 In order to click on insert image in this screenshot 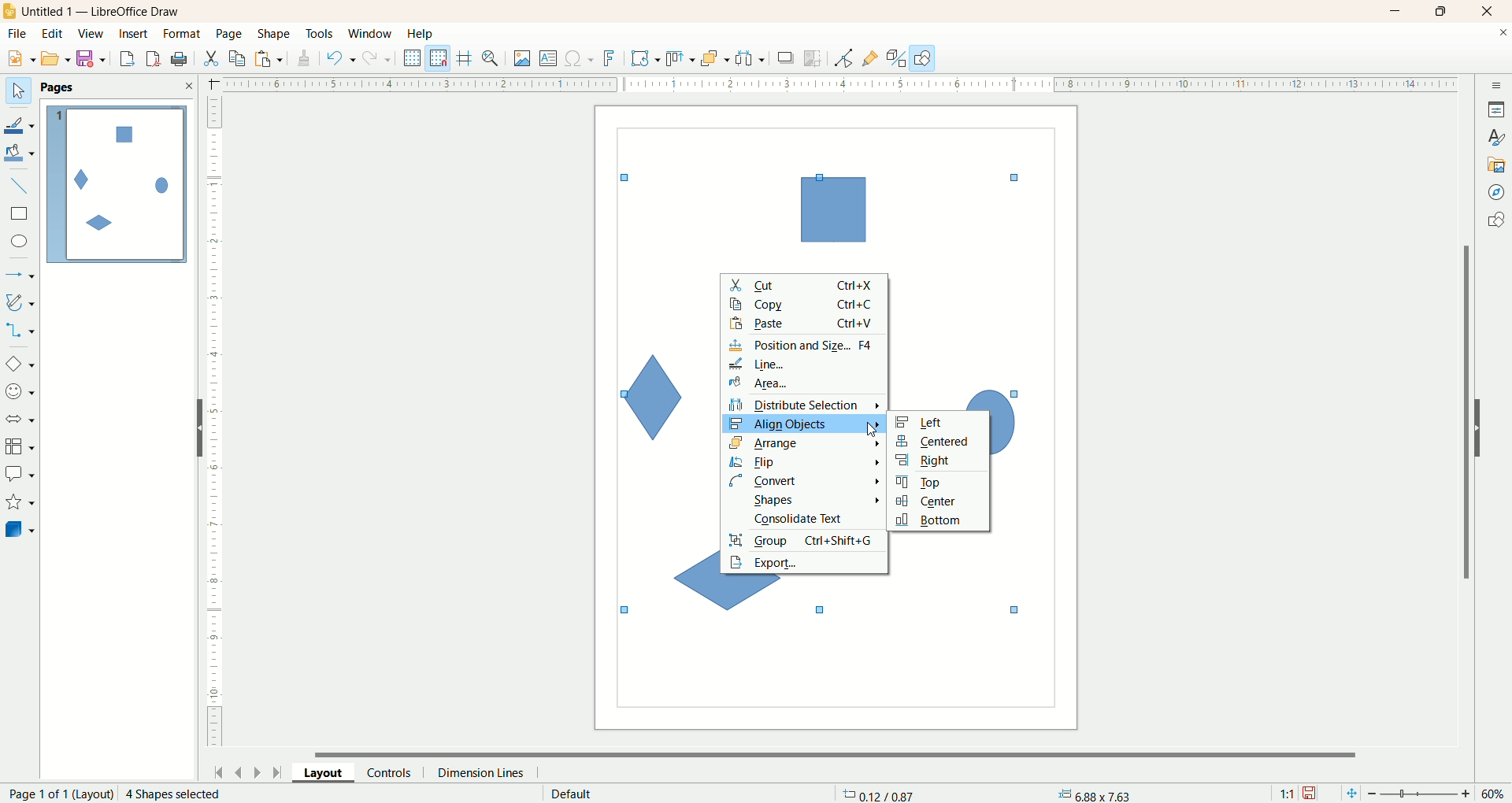, I will do `click(523, 59)`.